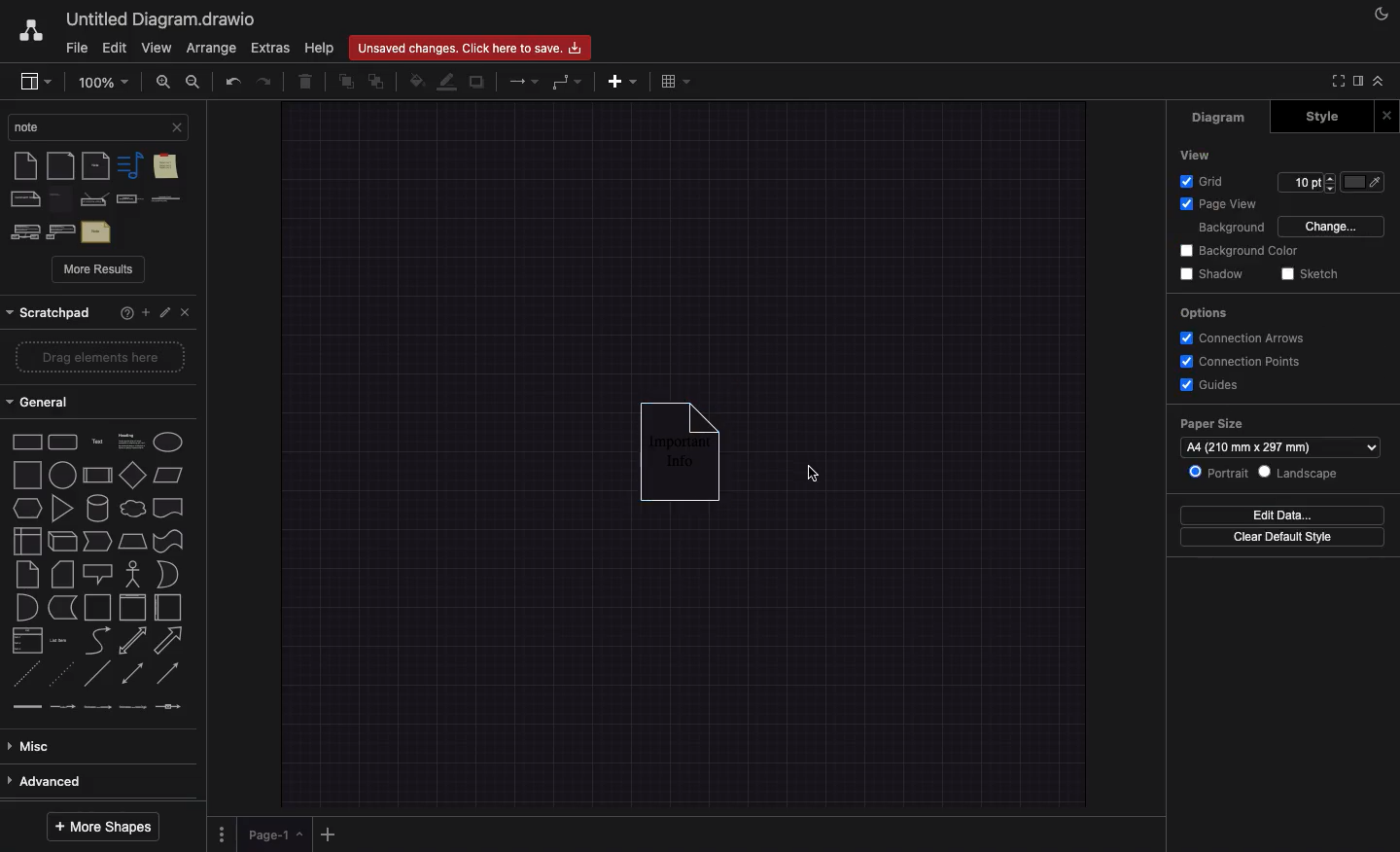 Image resolution: width=1400 pixels, height=852 pixels. What do you see at coordinates (447, 81) in the screenshot?
I see `Line color` at bounding box center [447, 81].